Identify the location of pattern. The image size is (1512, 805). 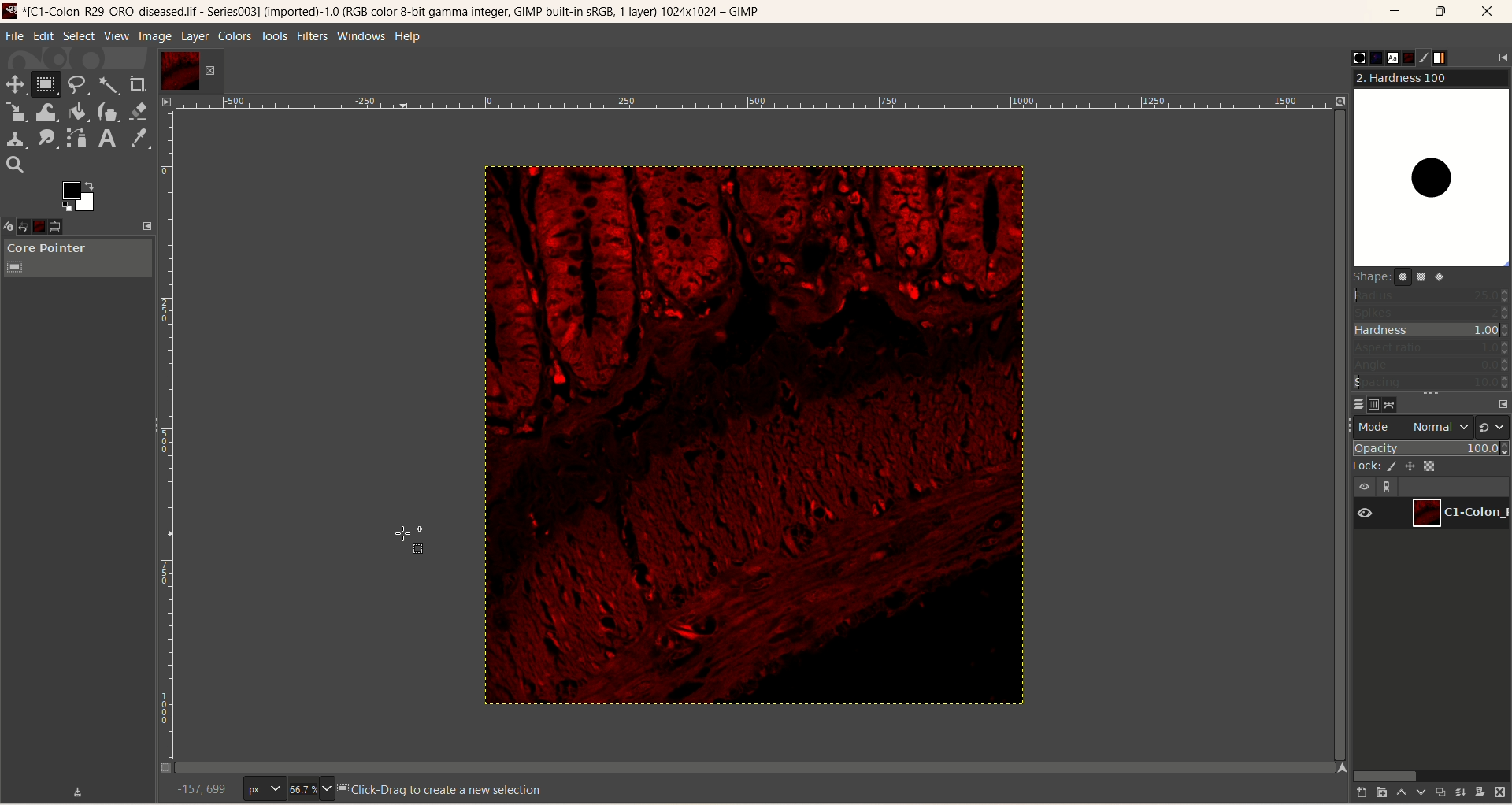
(1366, 57).